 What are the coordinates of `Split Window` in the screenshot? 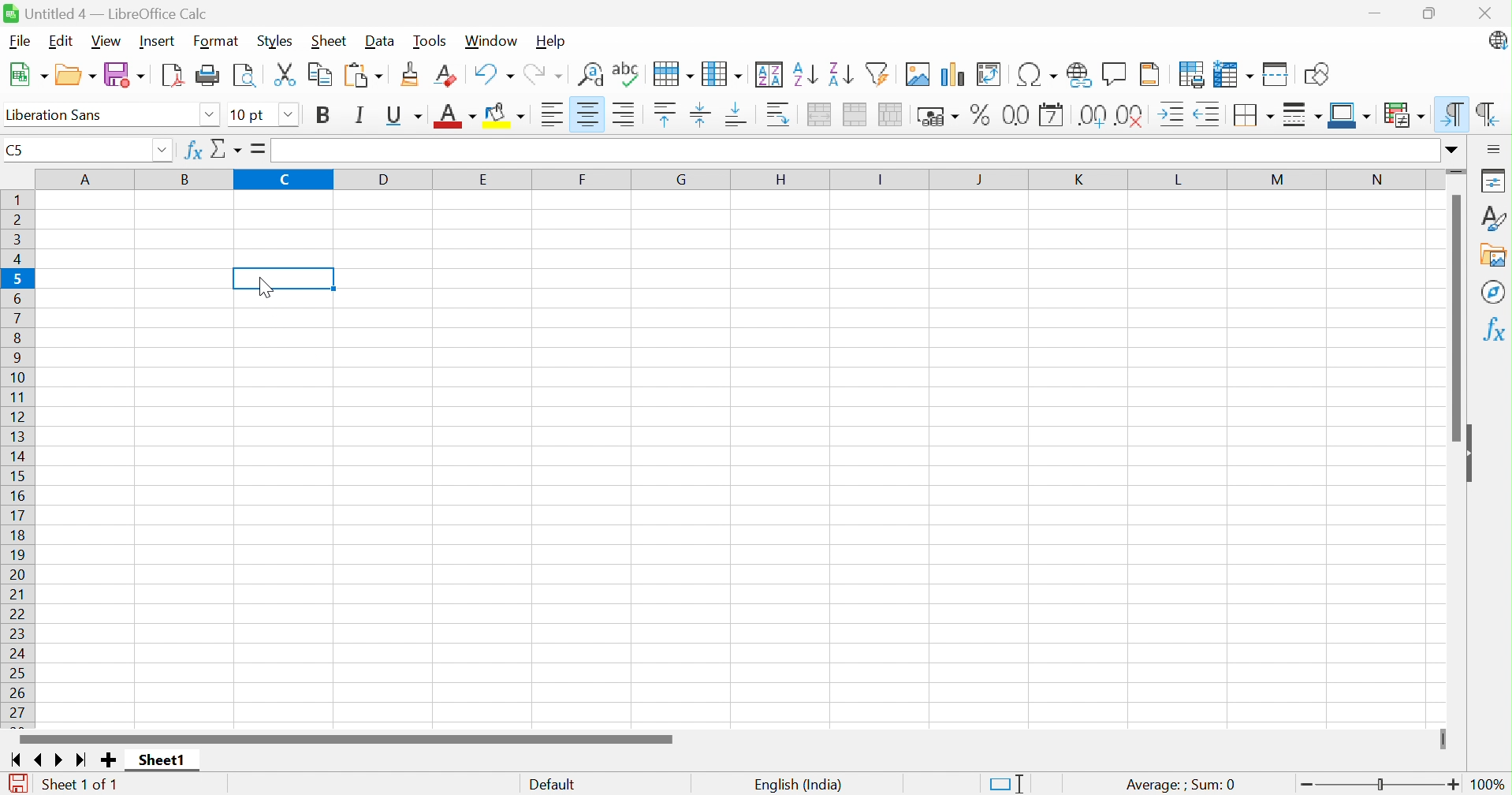 It's located at (1277, 73).